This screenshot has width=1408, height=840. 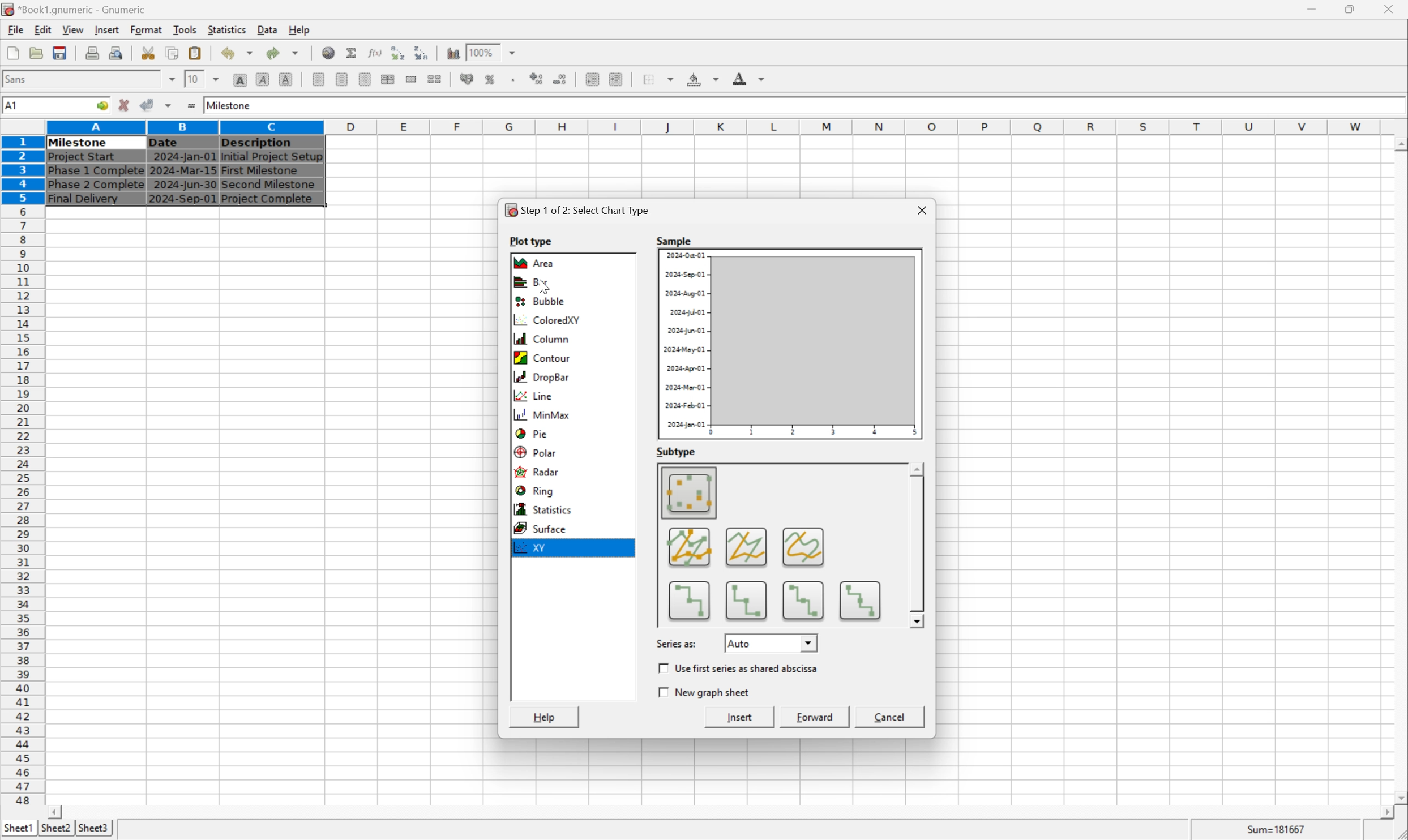 What do you see at coordinates (541, 338) in the screenshot?
I see `column` at bounding box center [541, 338].